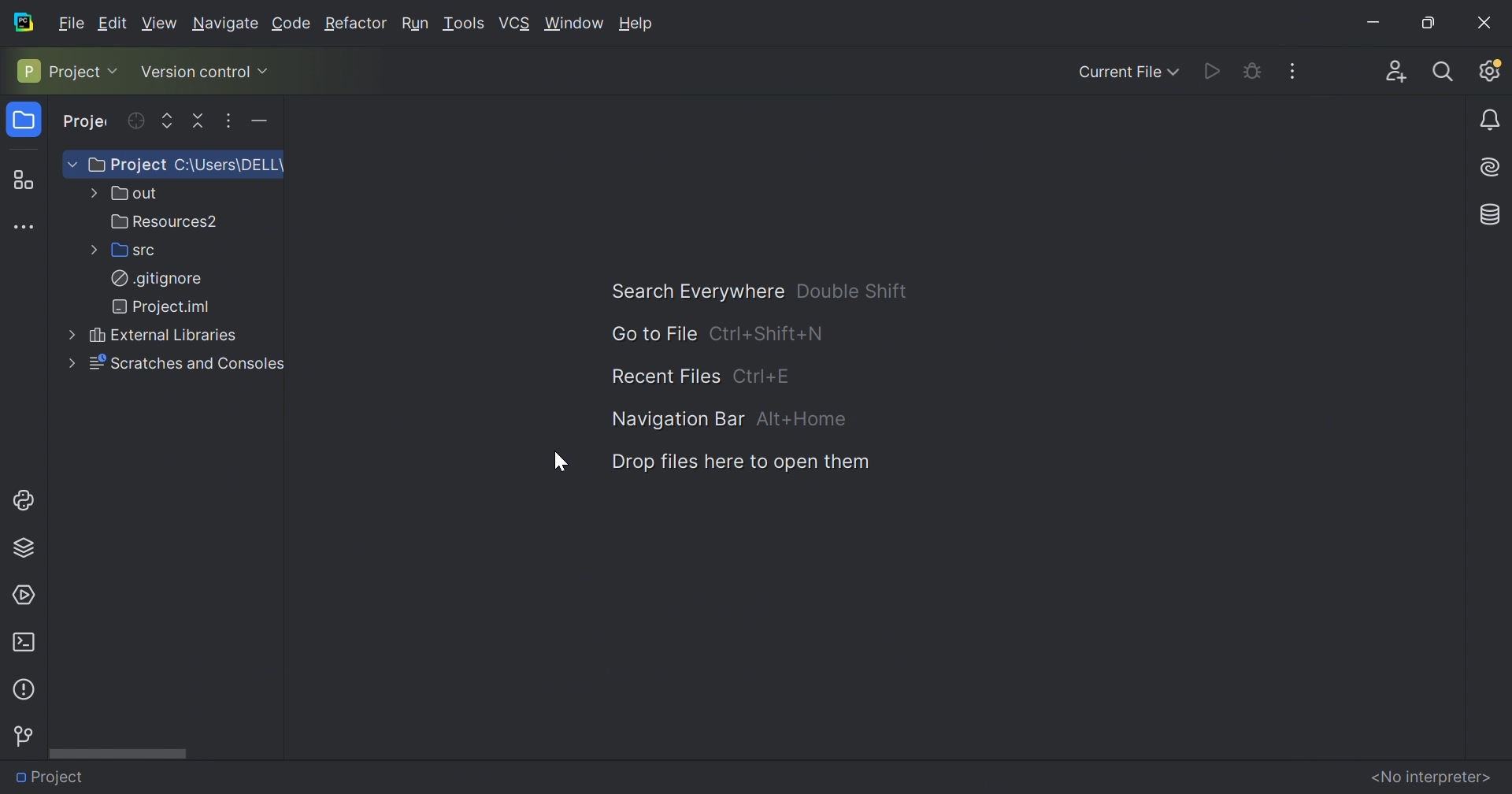 This screenshot has height=794, width=1512. Describe the element at coordinates (691, 291) in the screenshot. I see `Search Everywhere` at that location.